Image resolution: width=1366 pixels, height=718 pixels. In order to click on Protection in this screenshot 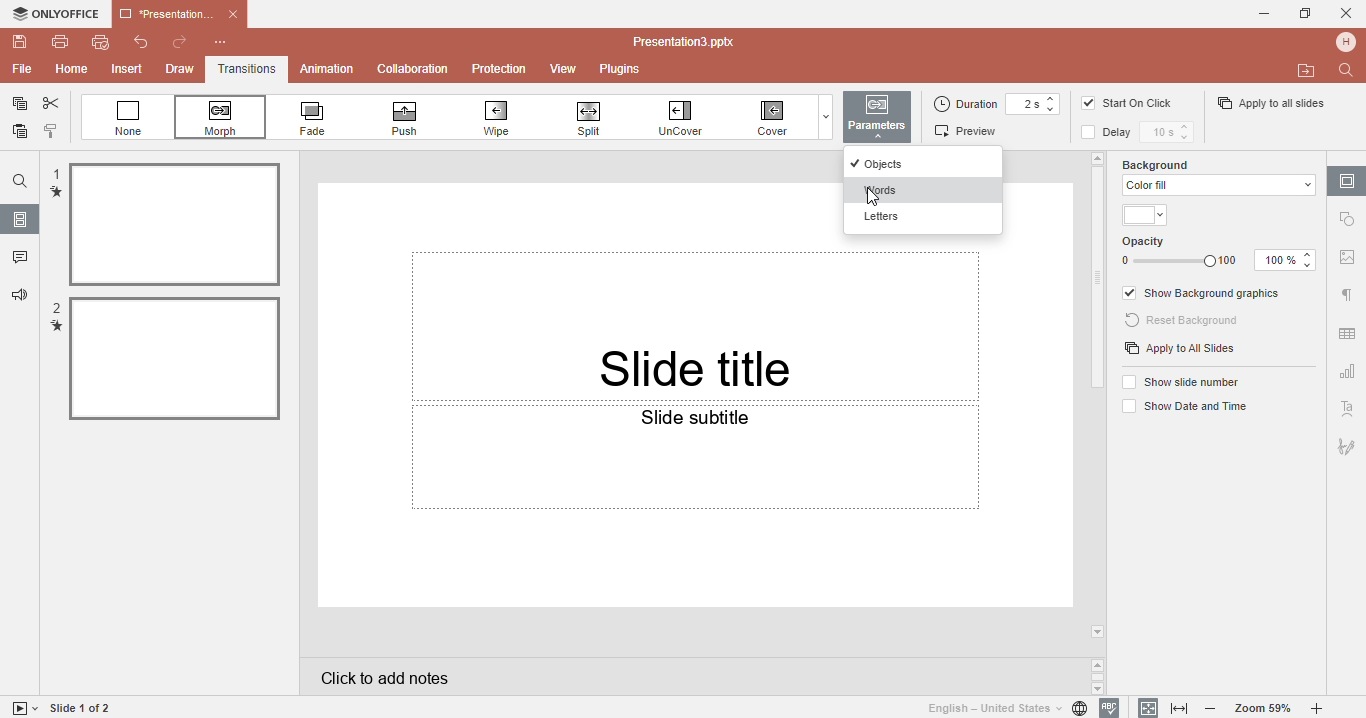, I will do `click(502, 68)`.